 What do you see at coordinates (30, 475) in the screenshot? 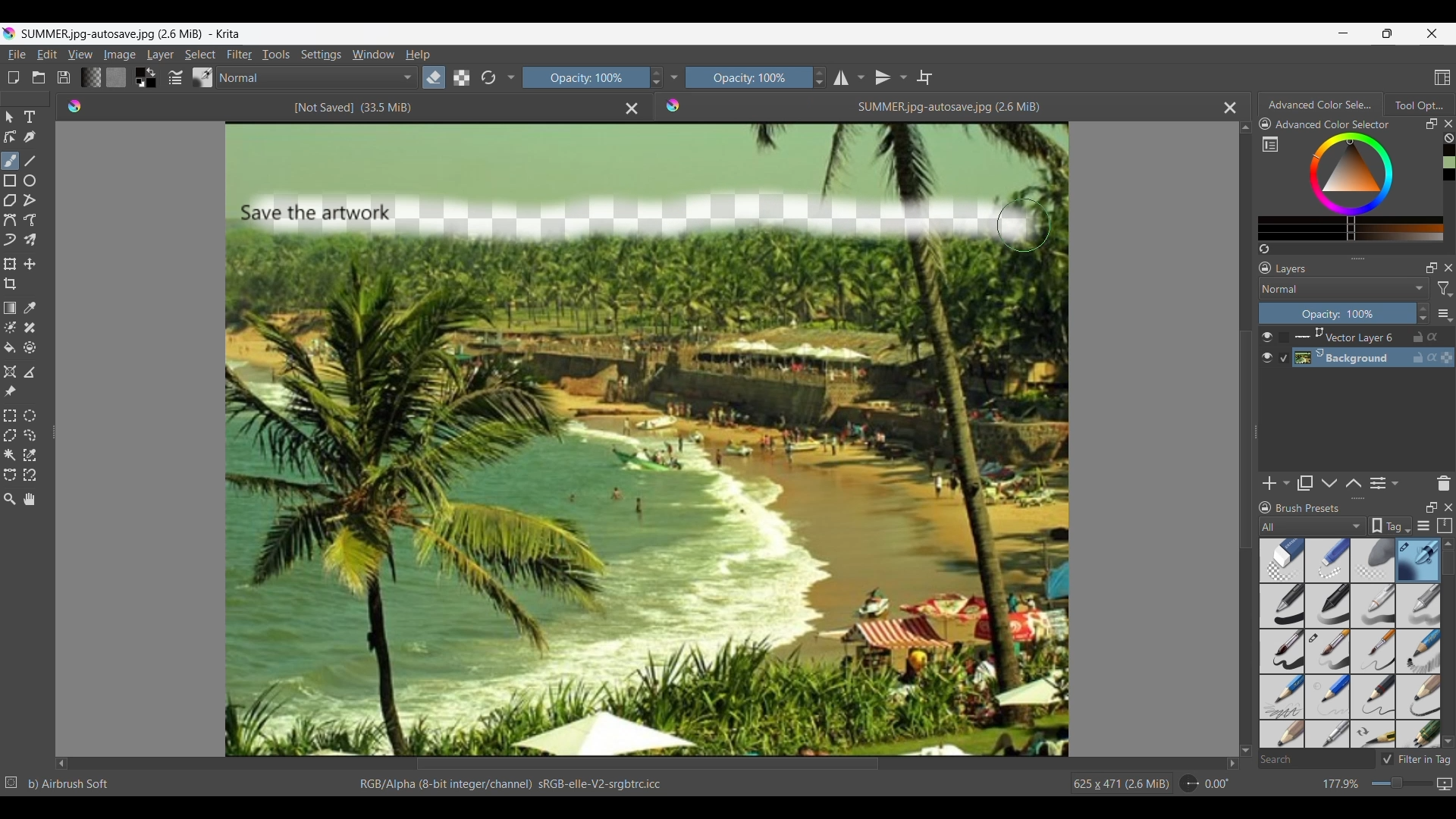
I see `Magnetic curve selection tool` at bounding box center [30, 475].